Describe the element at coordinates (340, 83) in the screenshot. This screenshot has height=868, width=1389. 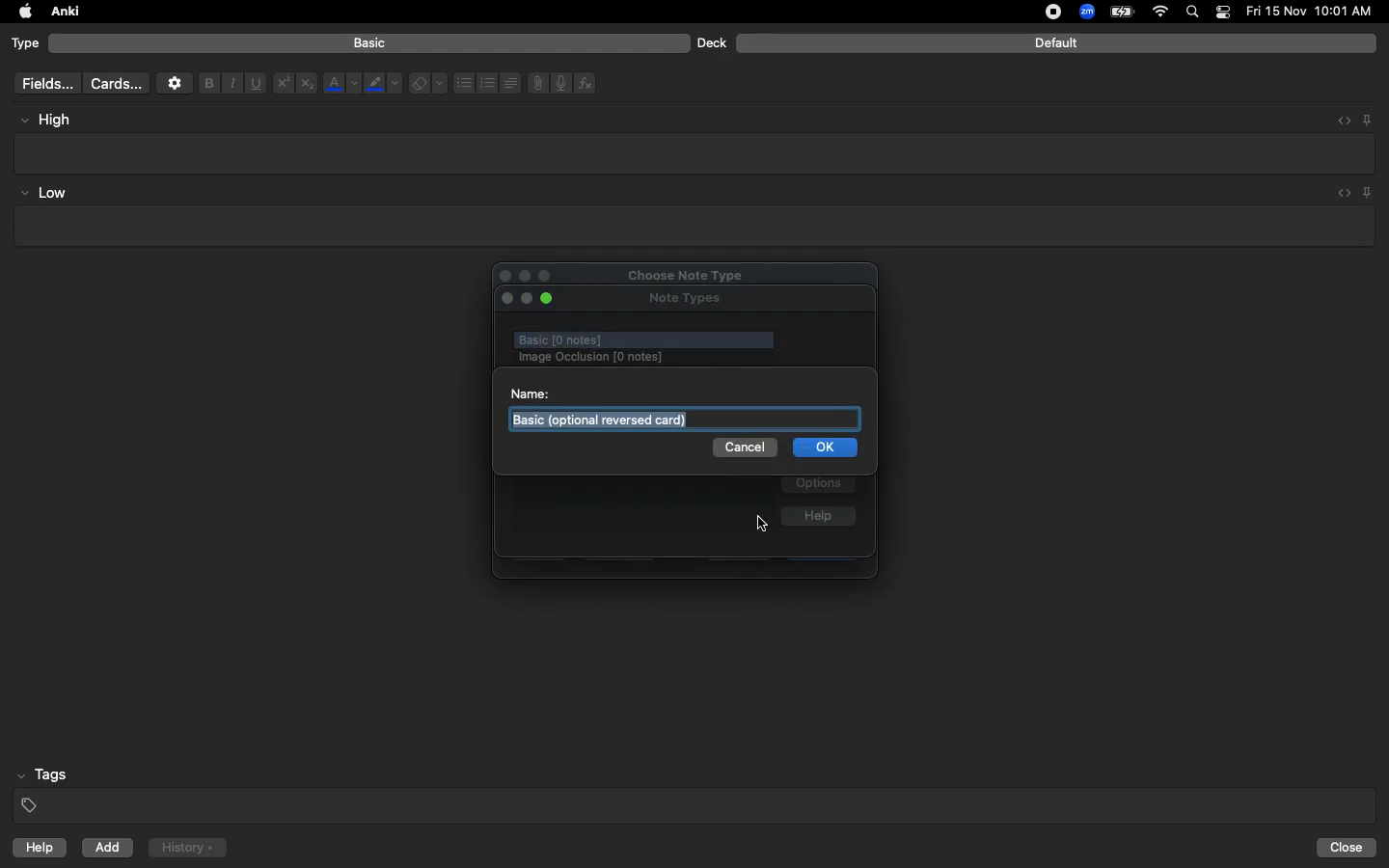
I see `Font color` at that location.